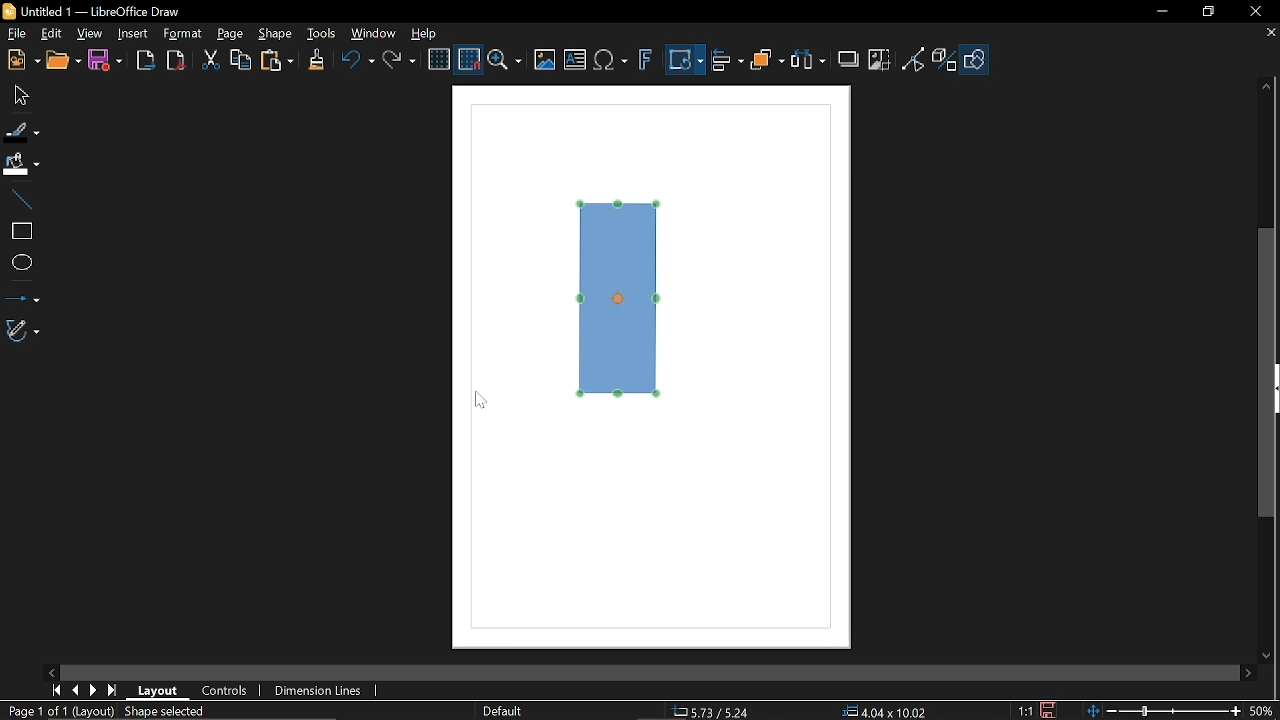 Image resolution: width=1280 pixels, height=720 pixels. Describe the element at coordinates (108, 11) in the screenshot. I see `Untitled 1 — LibreOffice Draw` at that location.